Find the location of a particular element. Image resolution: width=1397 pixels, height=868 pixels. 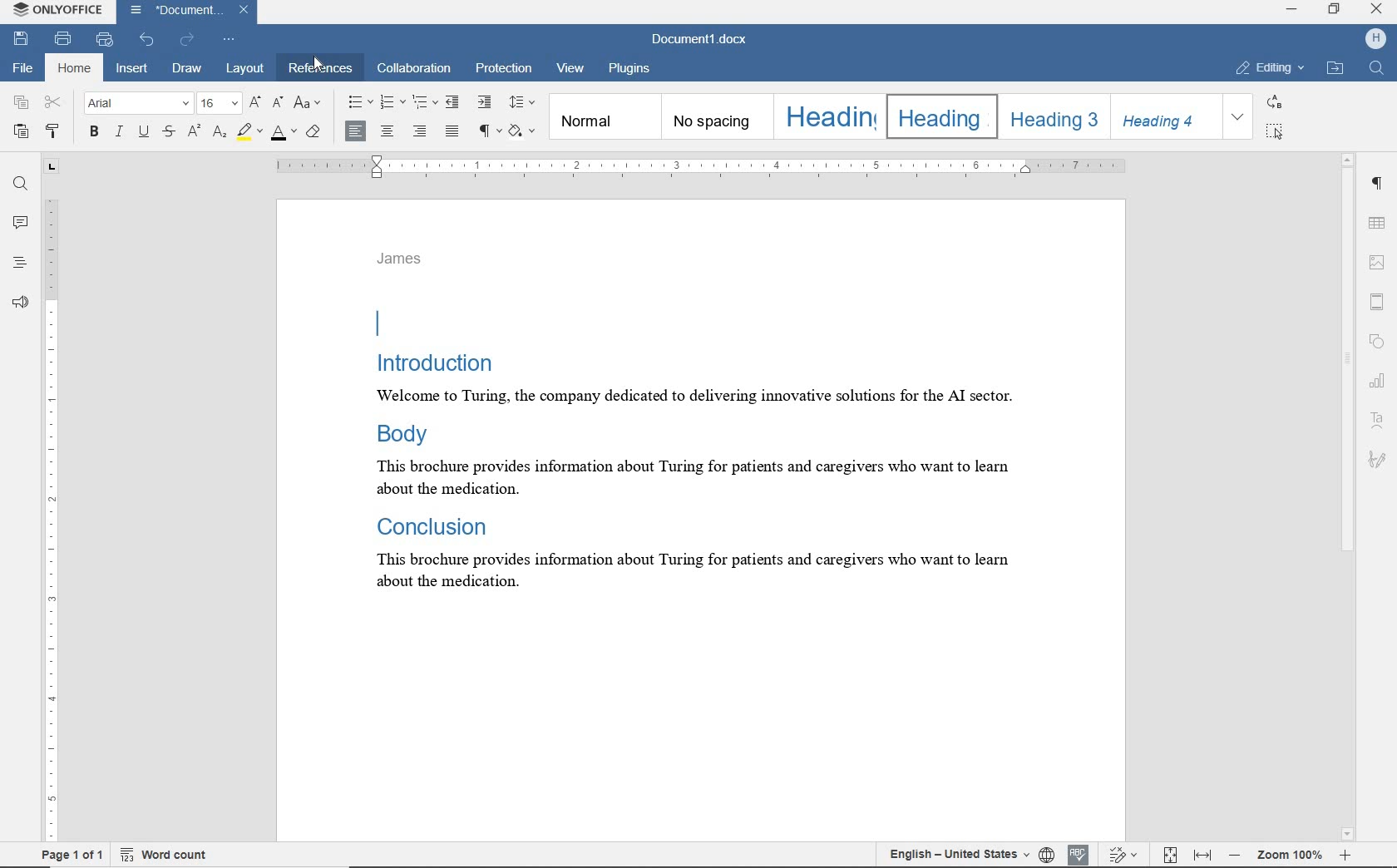

chart is located at coordinates (1379, 379).